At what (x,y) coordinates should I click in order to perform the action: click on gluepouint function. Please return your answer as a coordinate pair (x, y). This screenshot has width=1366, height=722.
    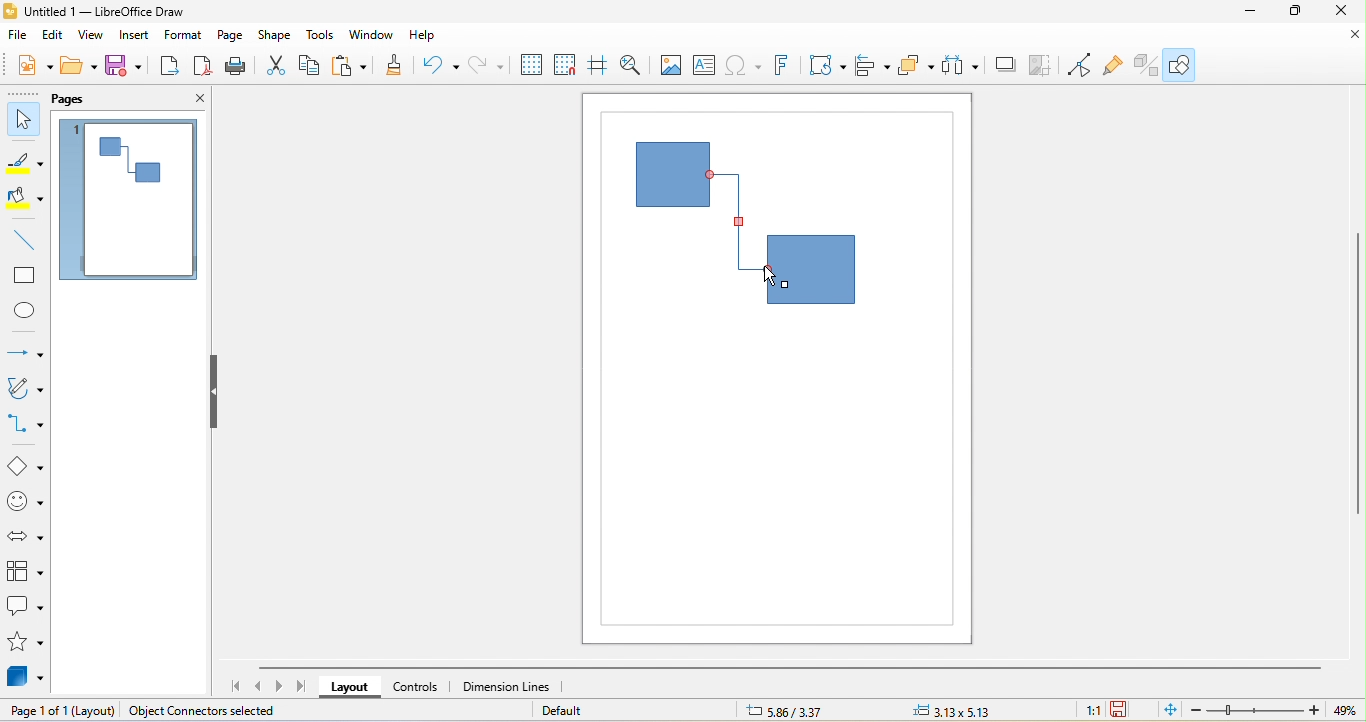
    Looking at the image, I should click on (1117, 64).